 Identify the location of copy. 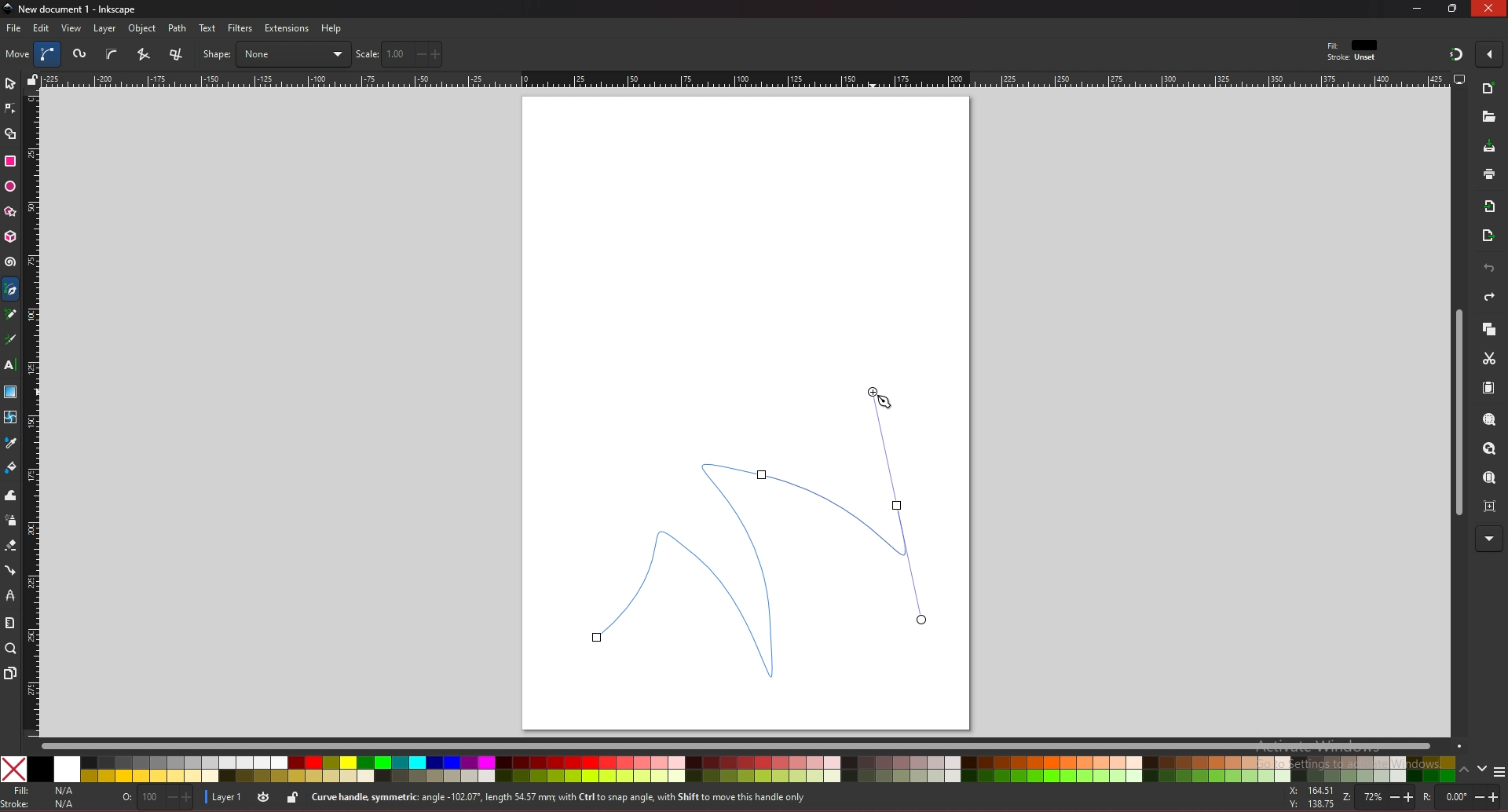
(1488, 330).